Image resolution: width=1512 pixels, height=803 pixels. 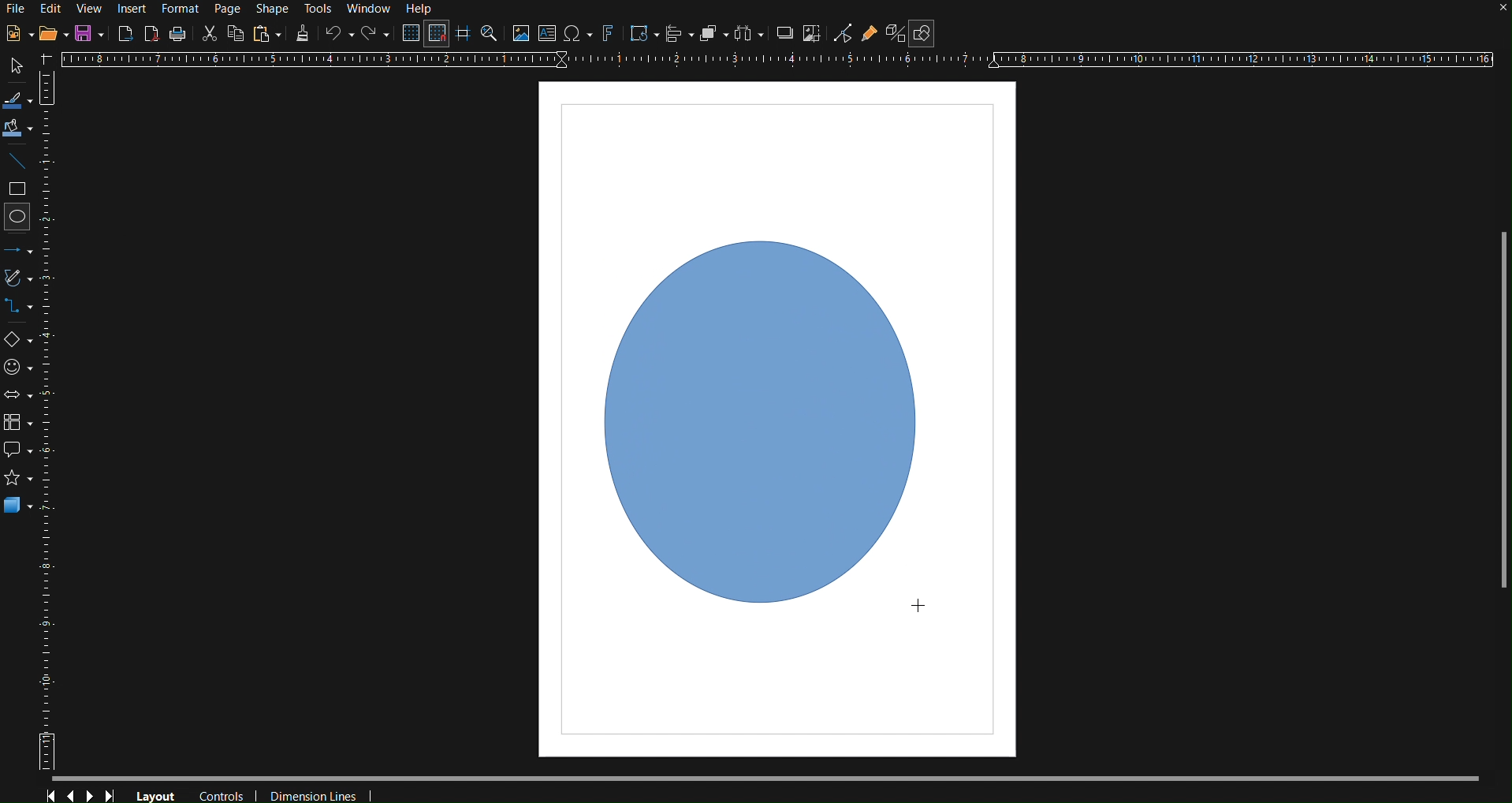 What do you see at coordinates (679, 35) in the screenshot?
I see `Align Objects` at bounding box center [679, 35].